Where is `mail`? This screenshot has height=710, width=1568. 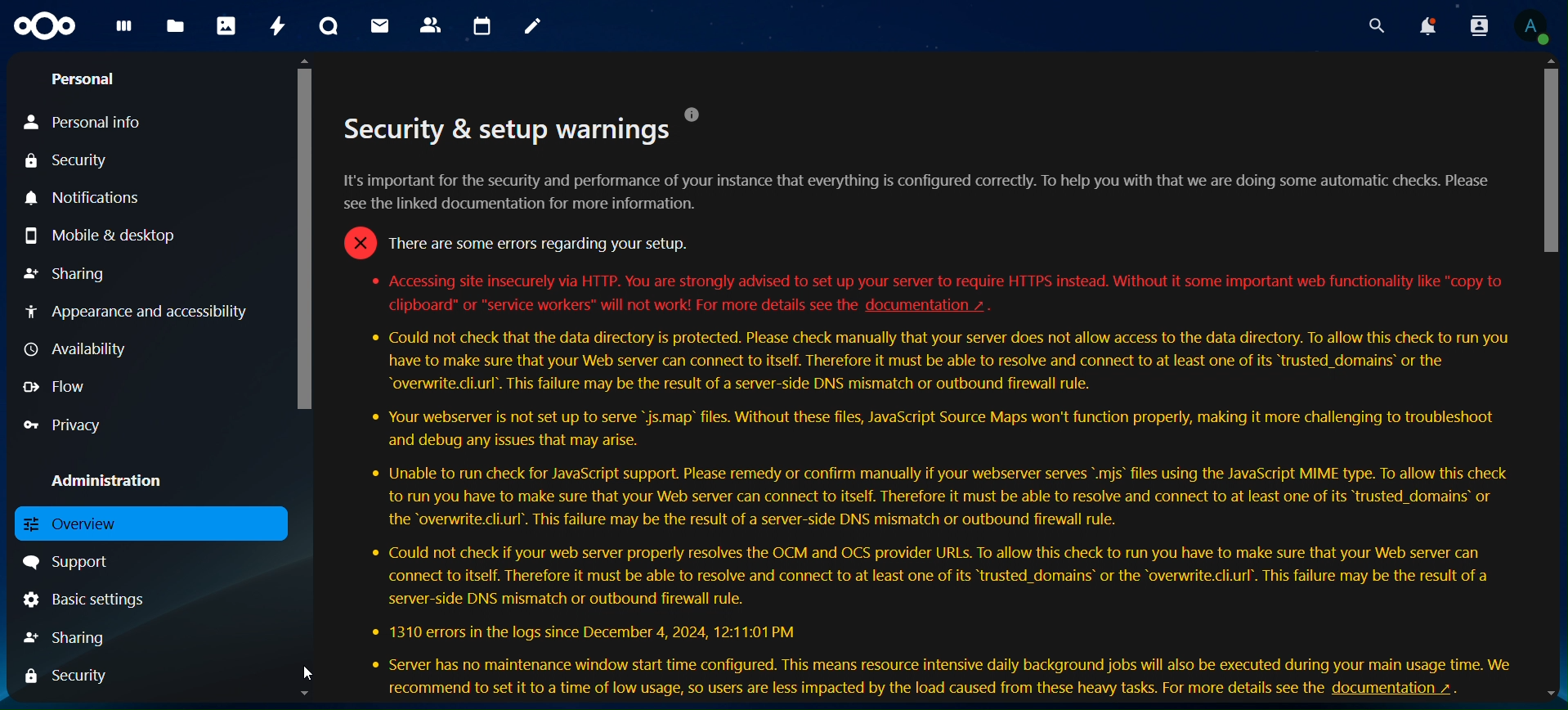 mail is located at coordinates (379, 26).